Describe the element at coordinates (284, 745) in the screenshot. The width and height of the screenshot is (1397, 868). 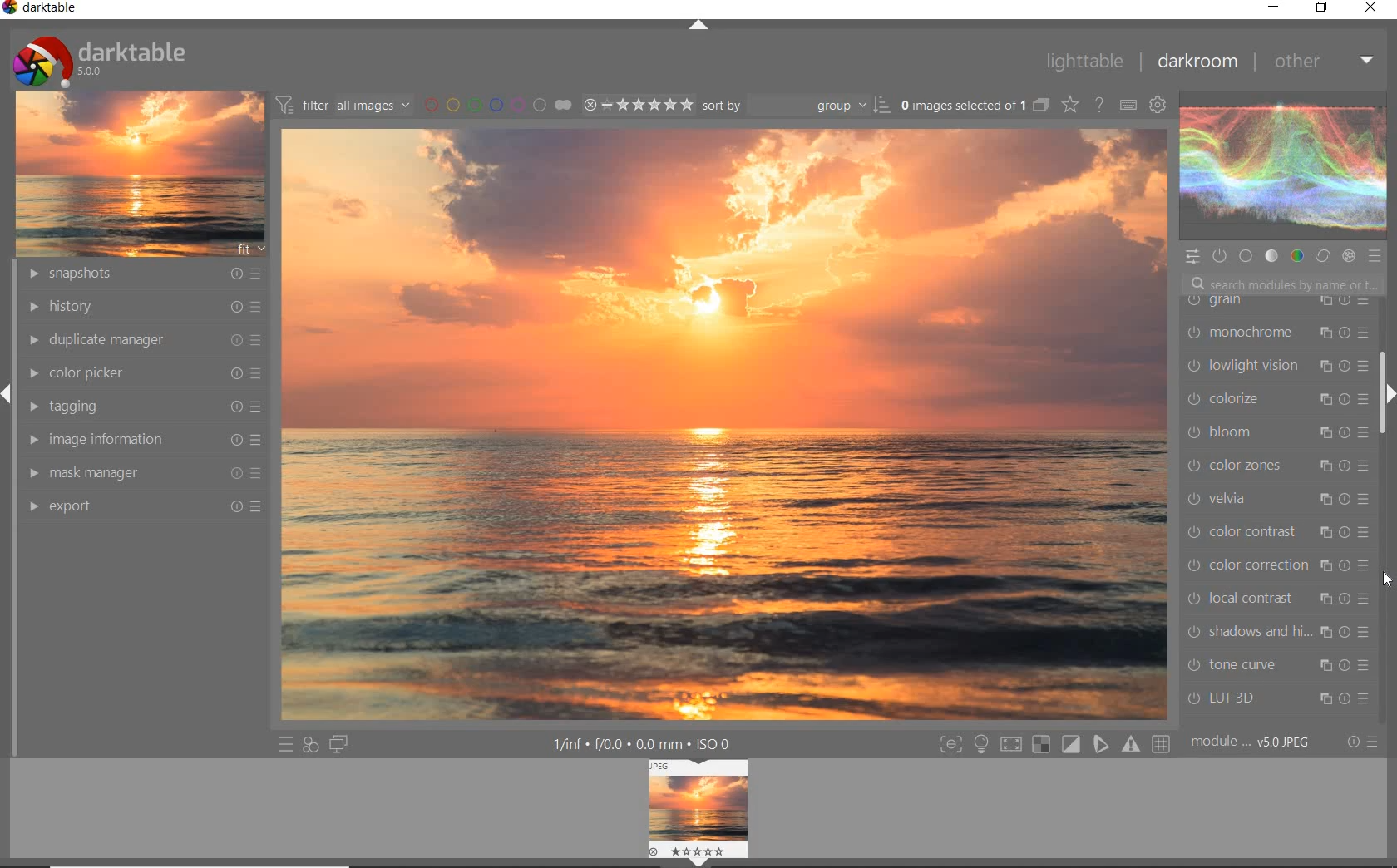
I see `QUICK ACCESS TO PRESET` at that location.